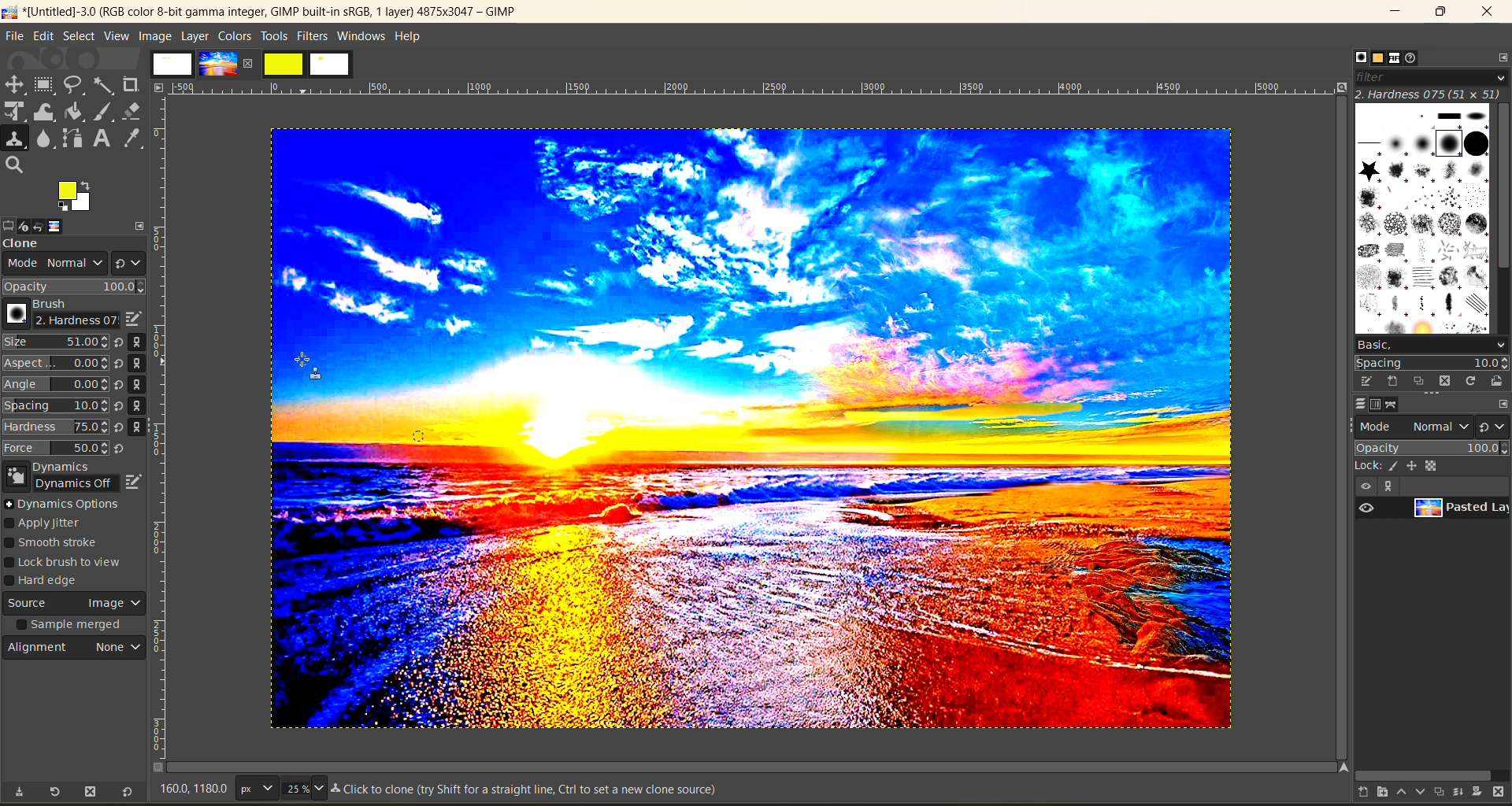  Describe the element at coordinates (75, 287) in the screenshot. I see `opacity` at that location.